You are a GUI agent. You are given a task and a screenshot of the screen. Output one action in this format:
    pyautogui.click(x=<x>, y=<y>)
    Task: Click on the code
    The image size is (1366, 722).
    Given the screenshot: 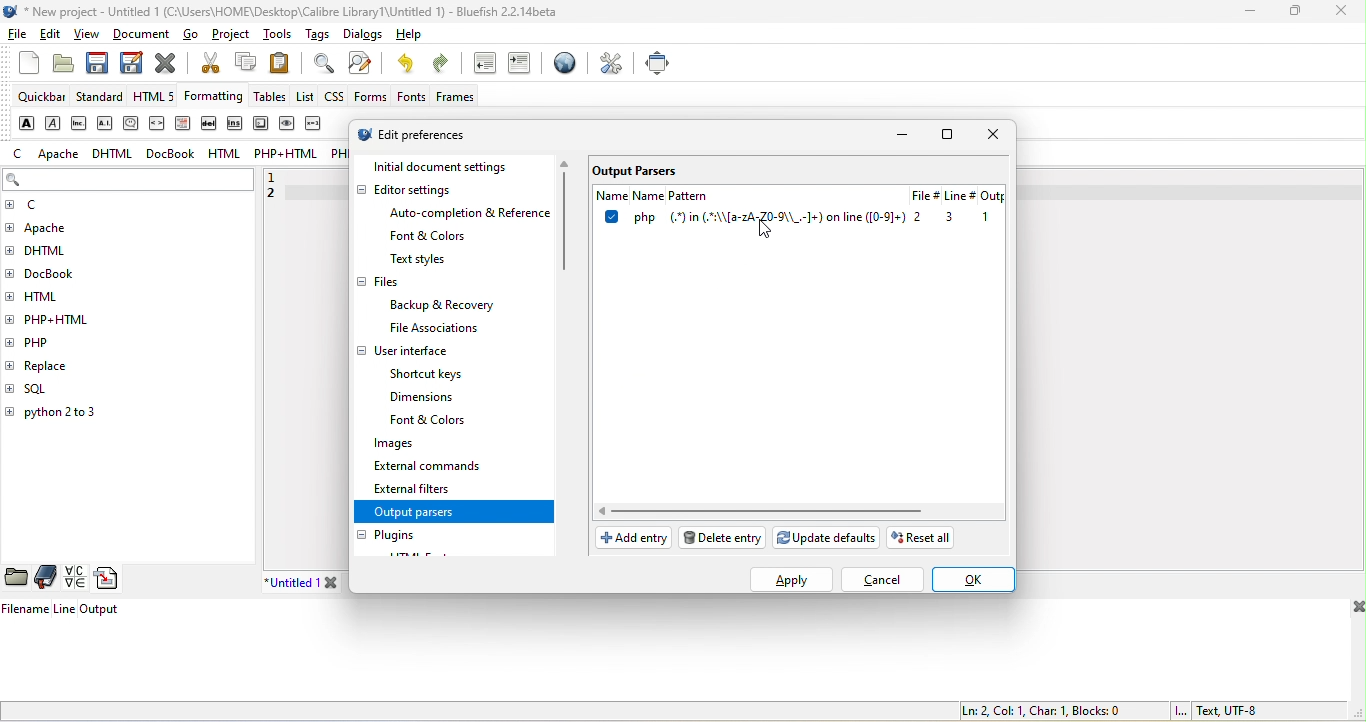 What is the action you would take?
    pyautogui.click(x=158, y=123)
    